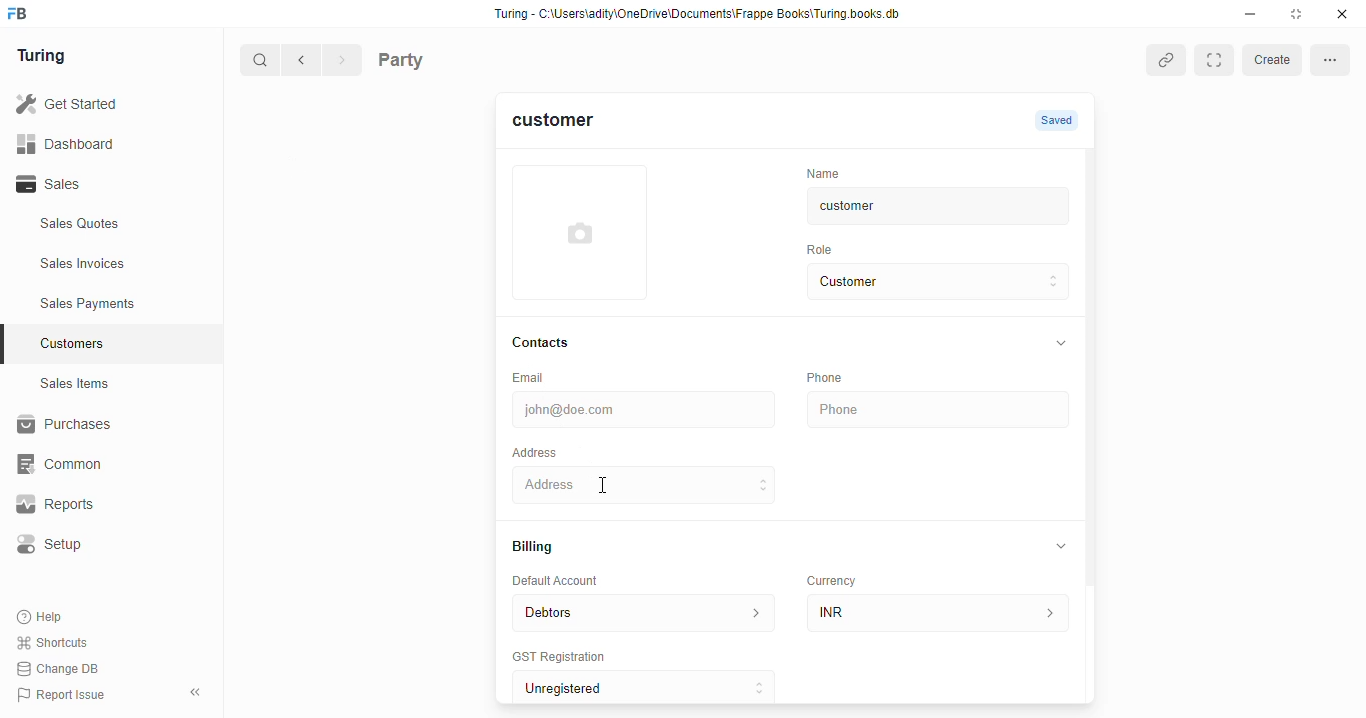  I want to click on more options, so click(1332, 61).